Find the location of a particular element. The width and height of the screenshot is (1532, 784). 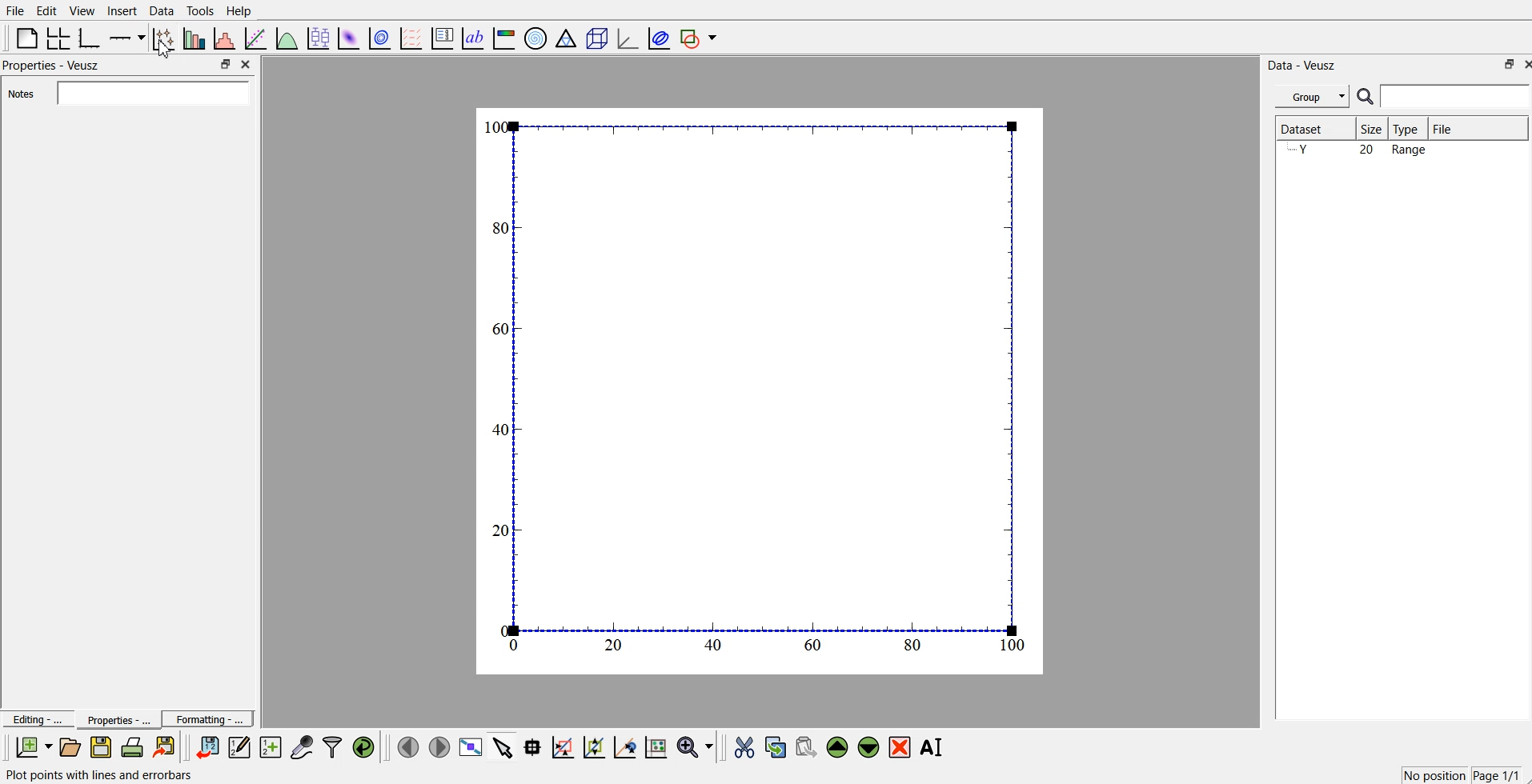

Export to graphics format is located at coordinates (167, 748).